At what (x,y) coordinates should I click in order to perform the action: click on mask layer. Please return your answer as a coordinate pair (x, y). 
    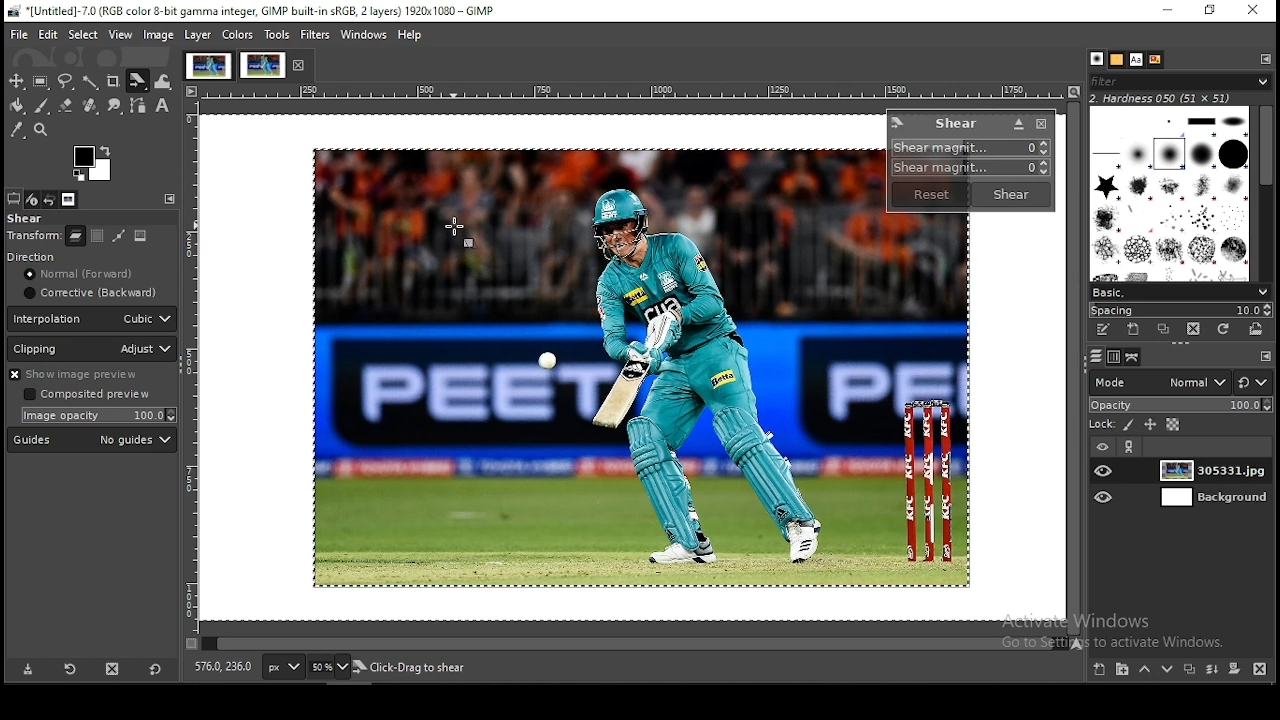
    Looking at the image, I should click on (1234, 669).